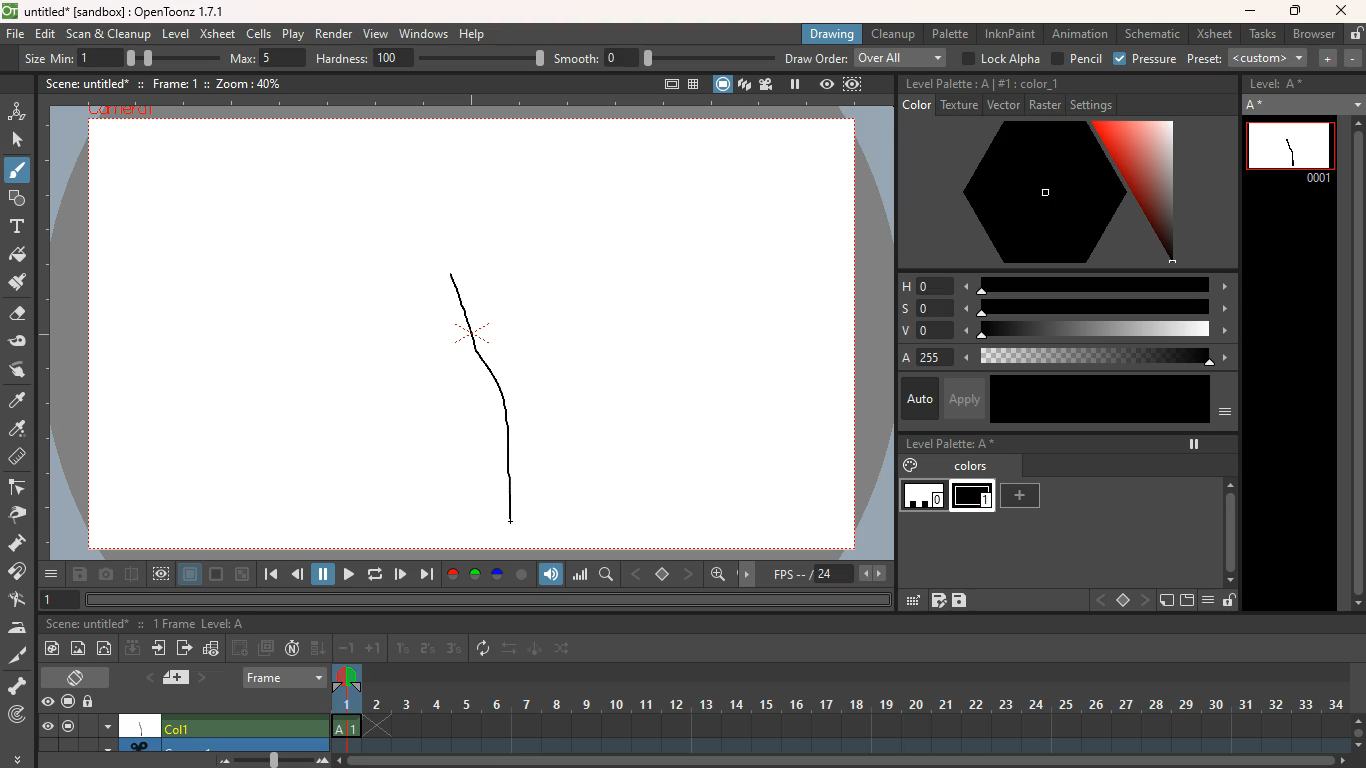 Image resolution: width=1366 pixels, height=768 pixels. Describe the element at coordinates (19, 430) in the screenshot. I see `drop` at that location.